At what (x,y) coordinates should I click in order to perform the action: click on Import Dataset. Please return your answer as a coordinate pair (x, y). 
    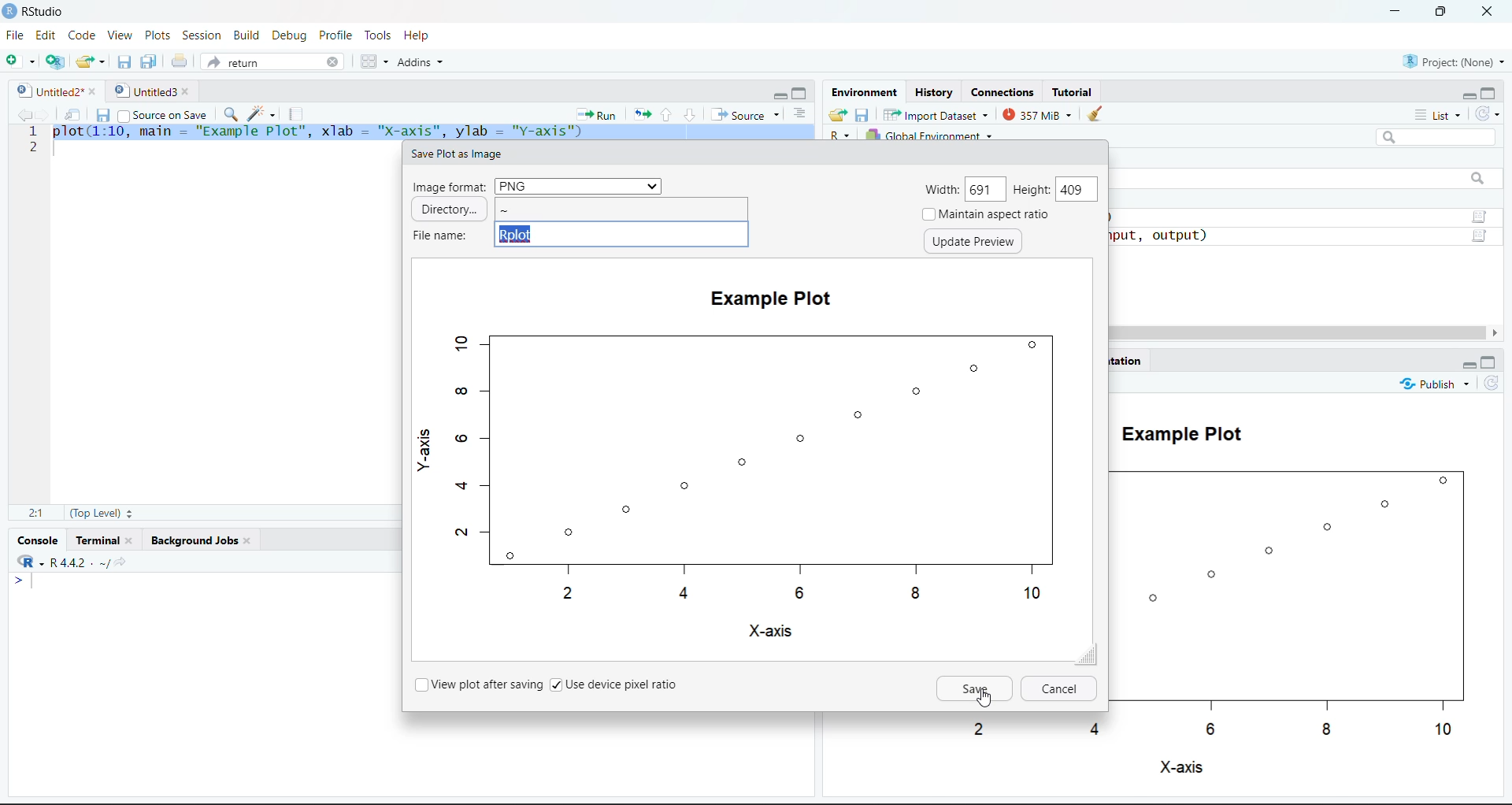
    Looking at the image, I should click on (934, 114).